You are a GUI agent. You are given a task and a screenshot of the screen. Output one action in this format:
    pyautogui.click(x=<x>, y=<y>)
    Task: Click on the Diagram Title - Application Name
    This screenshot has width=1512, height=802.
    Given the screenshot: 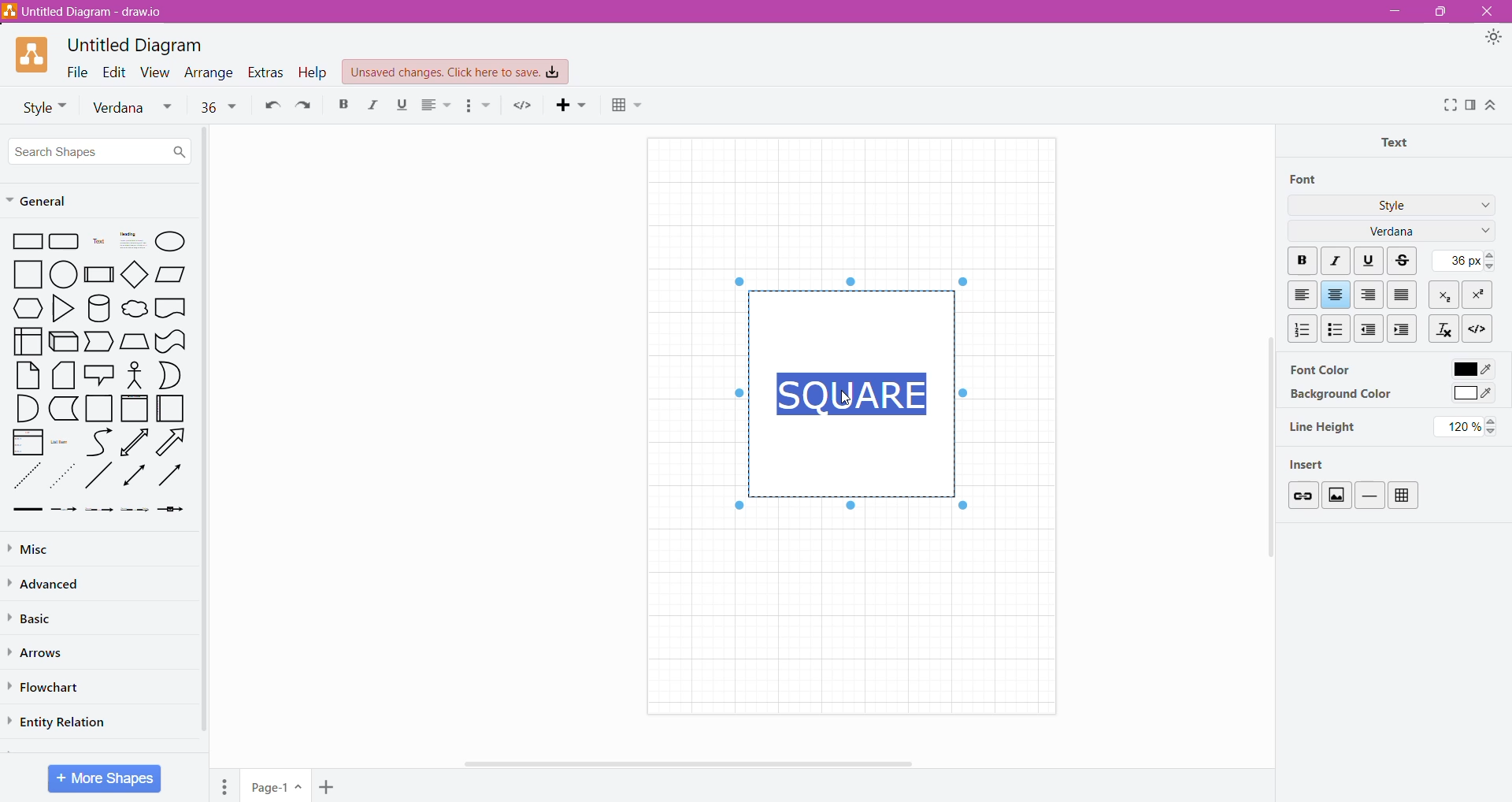 What is the action you would take?
    pyautogui.click(x=91, y=12)
    